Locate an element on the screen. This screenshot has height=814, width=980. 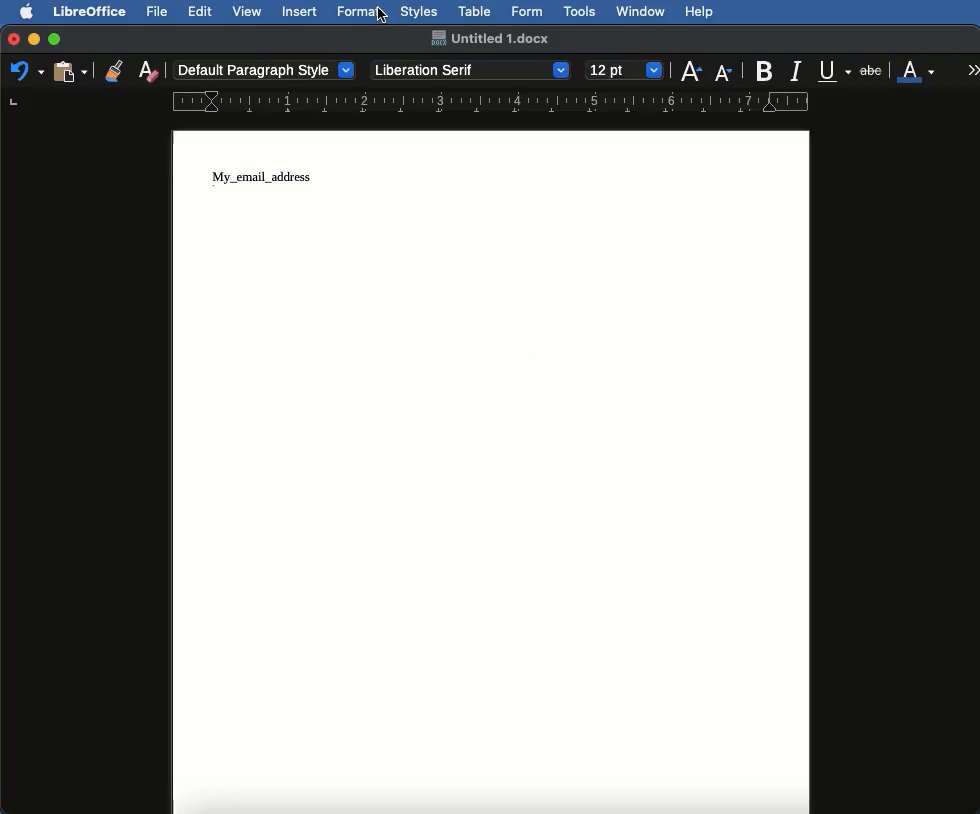
Name is located at coordinates (489, 38).